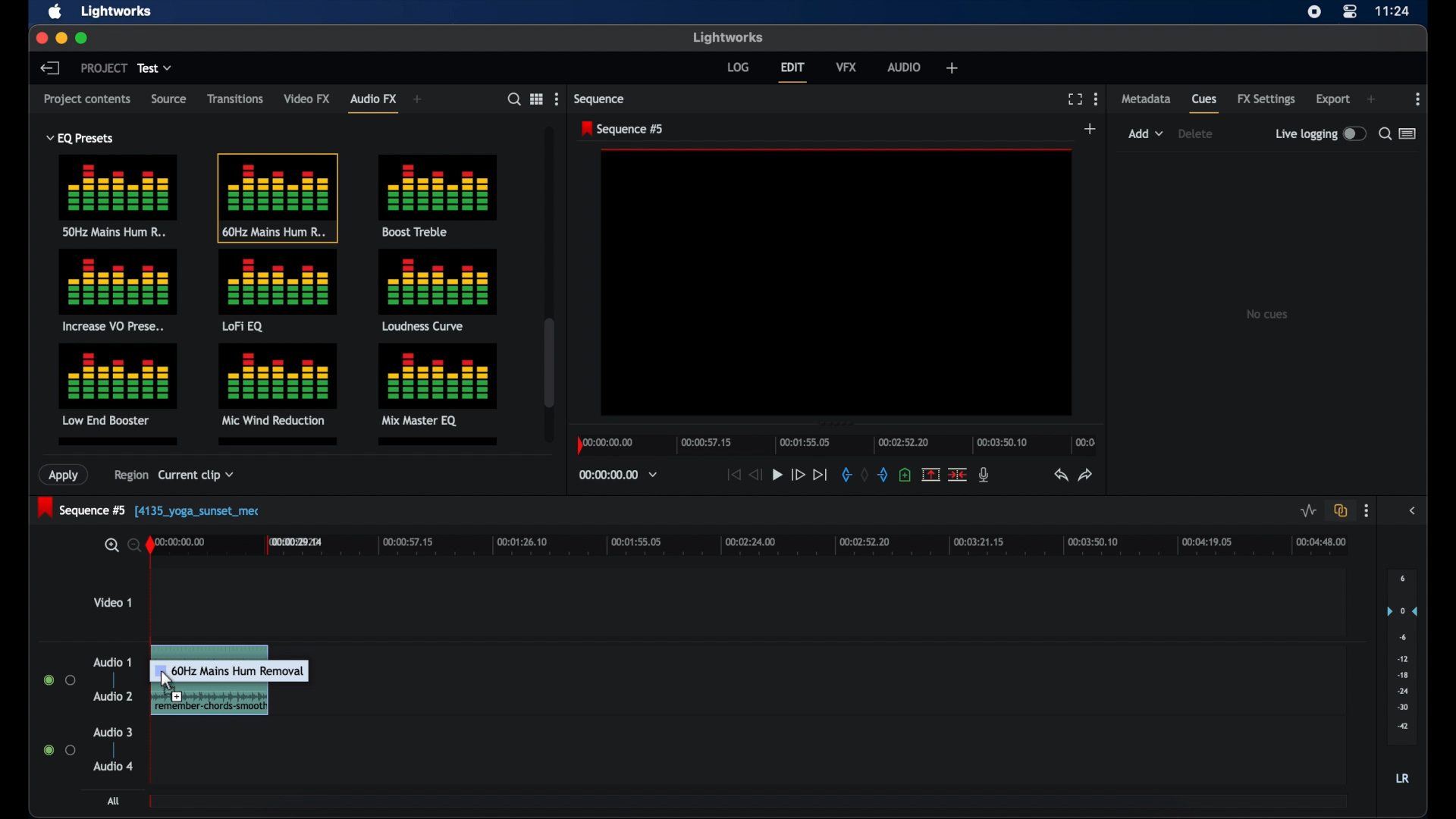 This screenshot has height=819, width=1456. I want to click on screen recorder icon, so click(1314, 12).